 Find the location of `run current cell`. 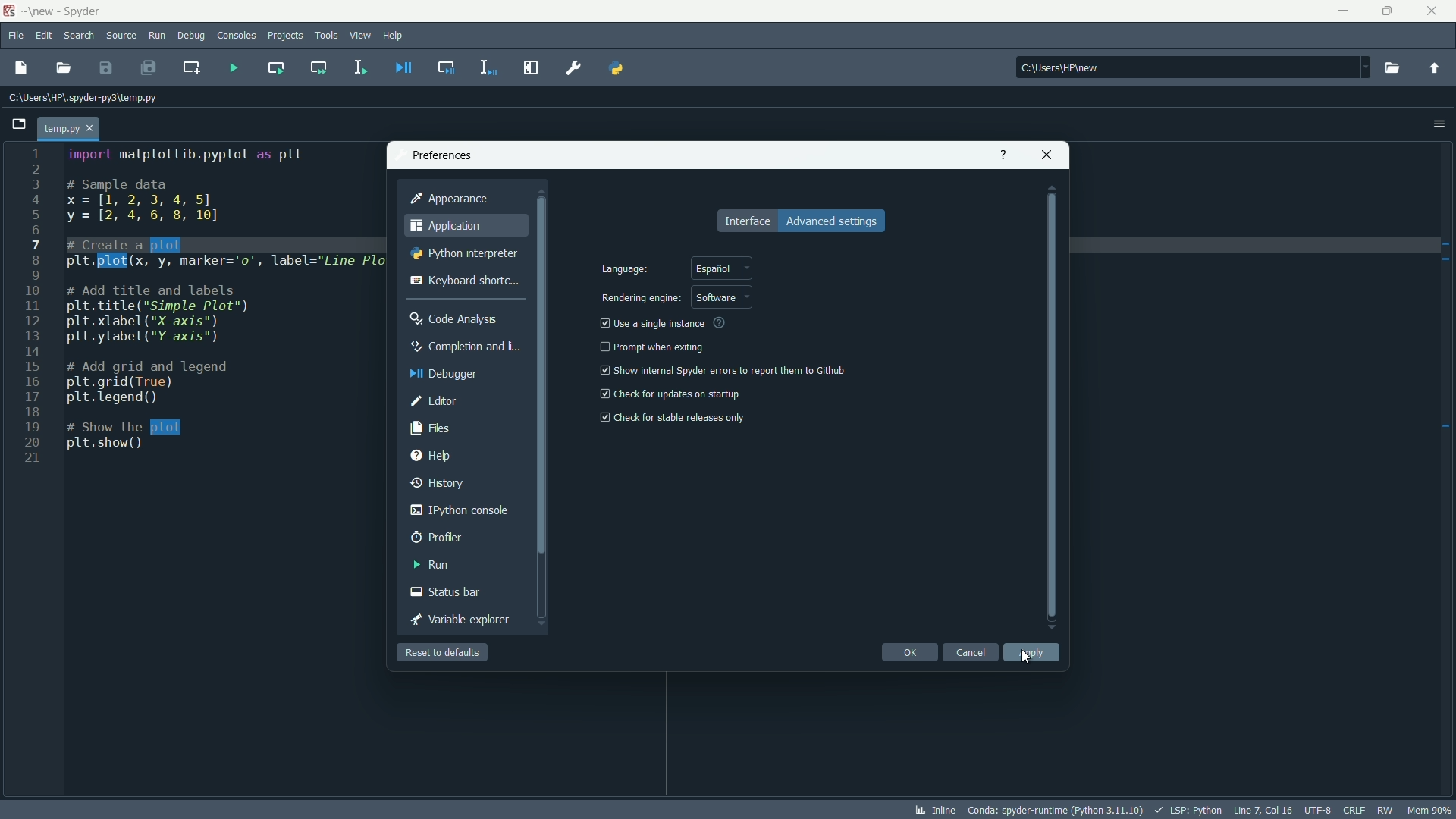

run current cell is located at coordinates (275, 67).